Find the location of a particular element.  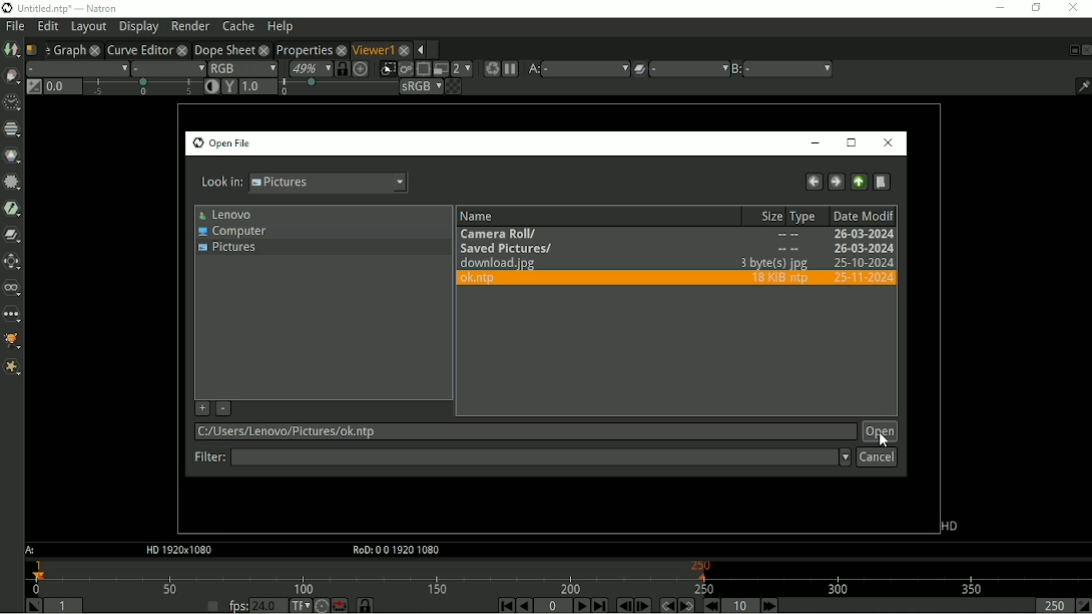

Extra is located at coordinates (12, 367).